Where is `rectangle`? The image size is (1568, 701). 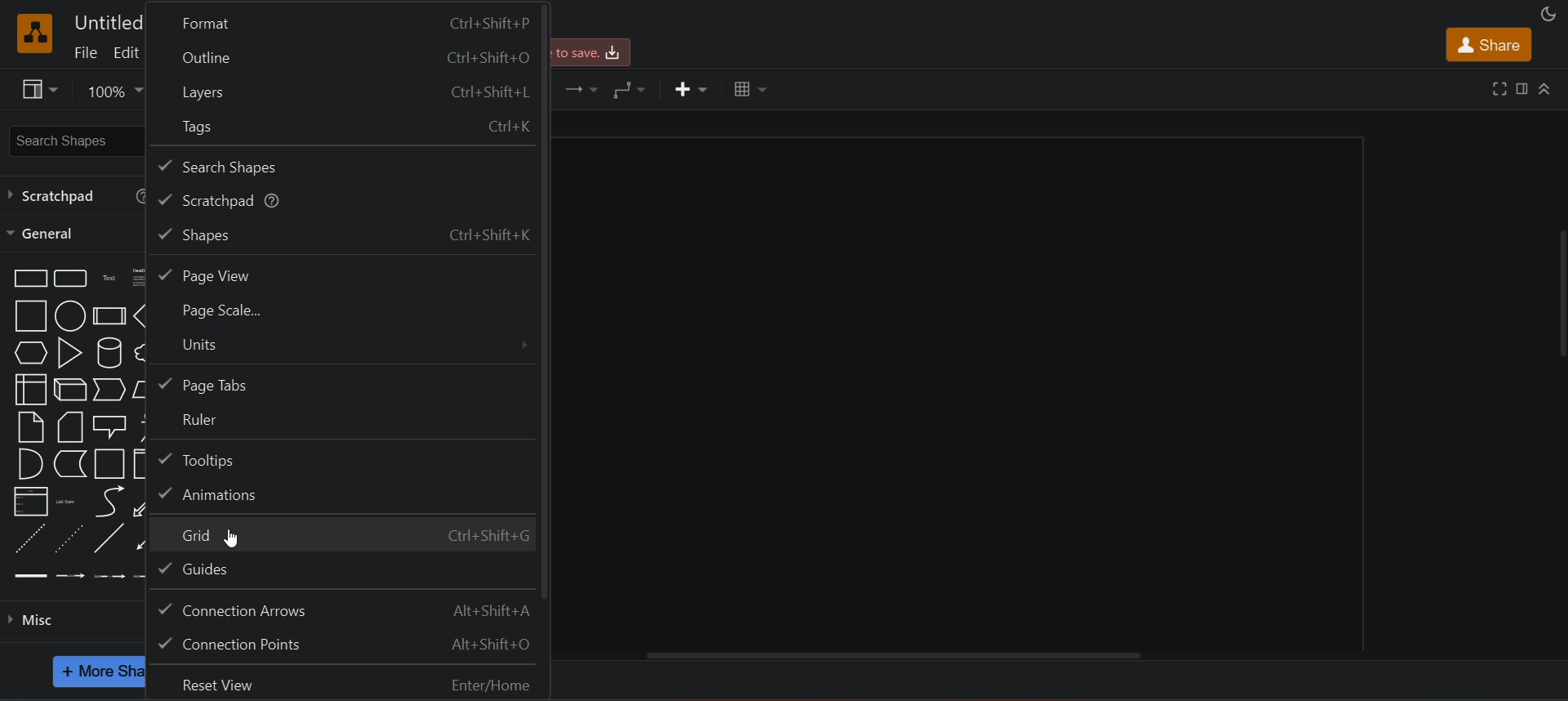
rectangle is located at coordinates (29, 279).